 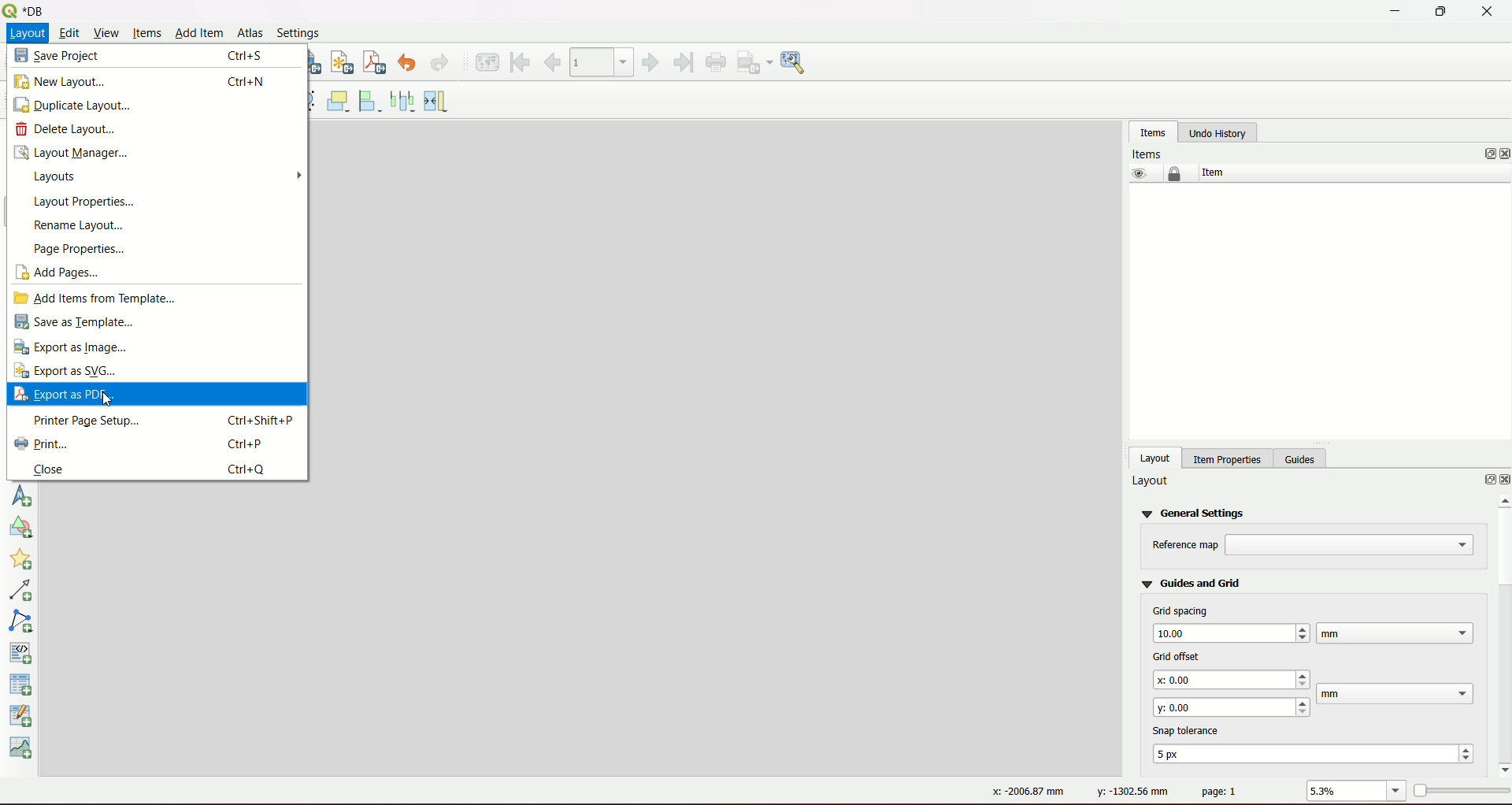 I want to click on options, so click(x=1482, y=481).